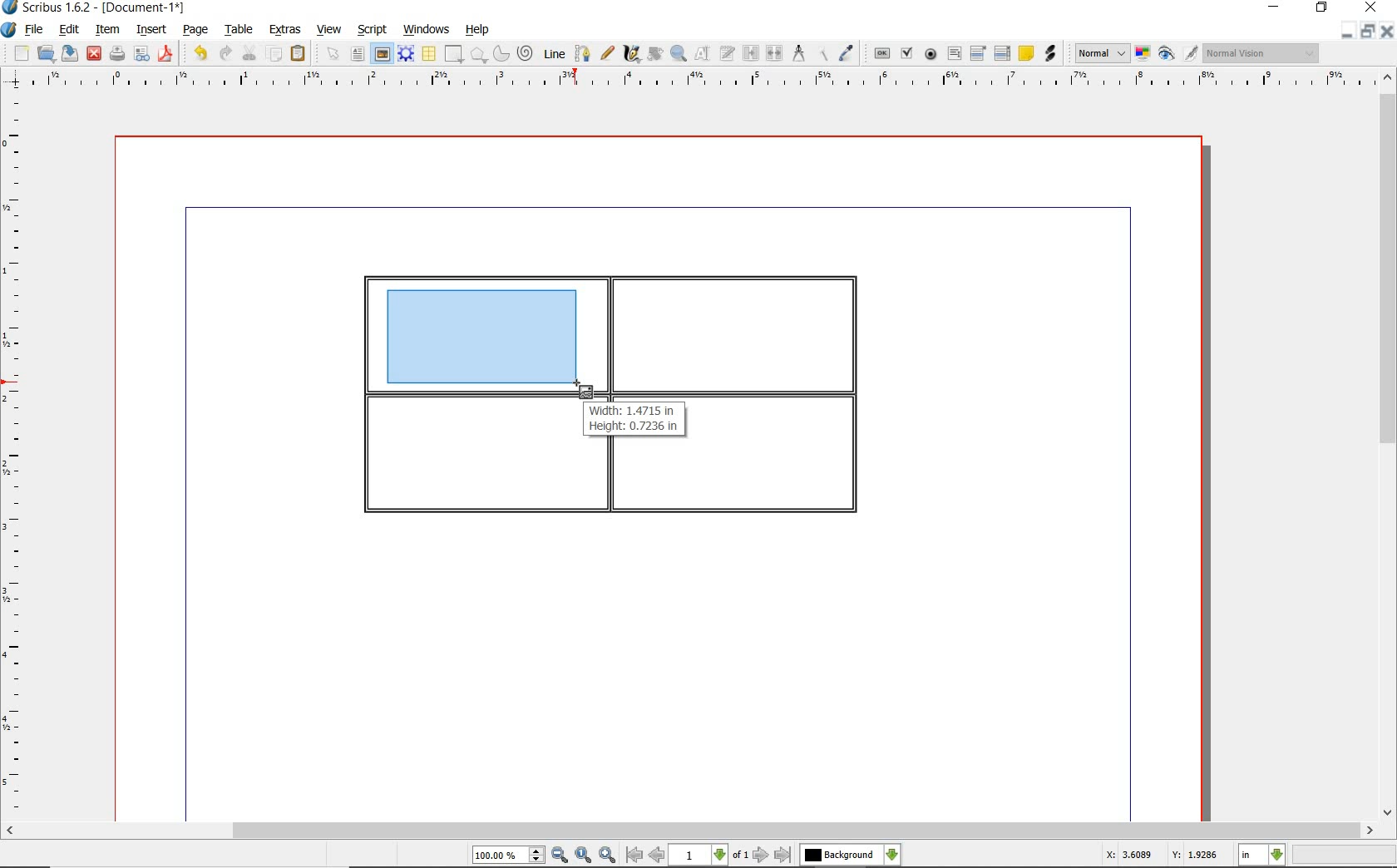 Image resolution: width=1397 pixels, height=868 pixels. I want to click on pdf push button, so click(882, 52).